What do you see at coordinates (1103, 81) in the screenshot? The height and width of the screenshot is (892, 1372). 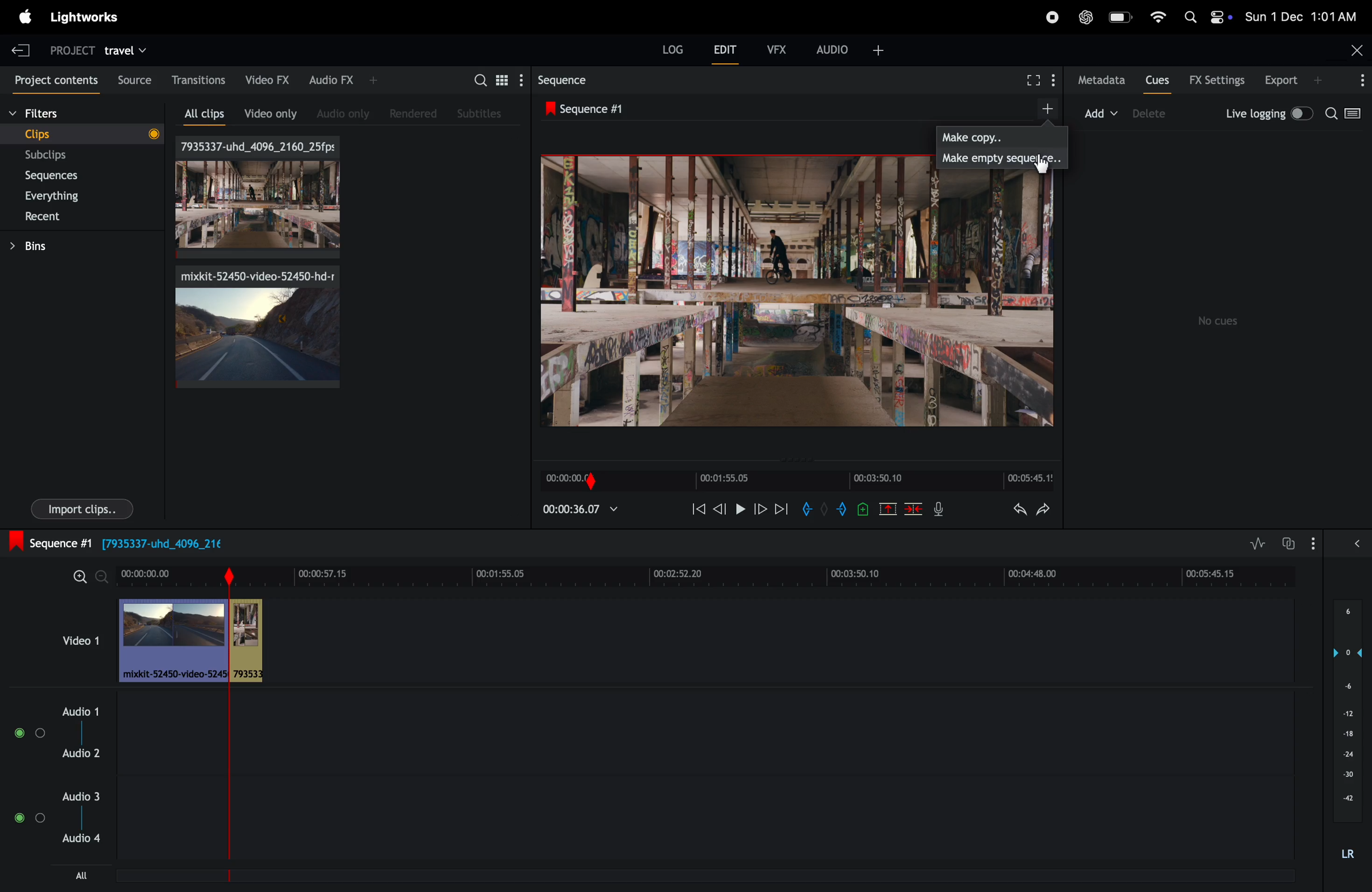 I see `metadata` at bounding box center [1103, 81].